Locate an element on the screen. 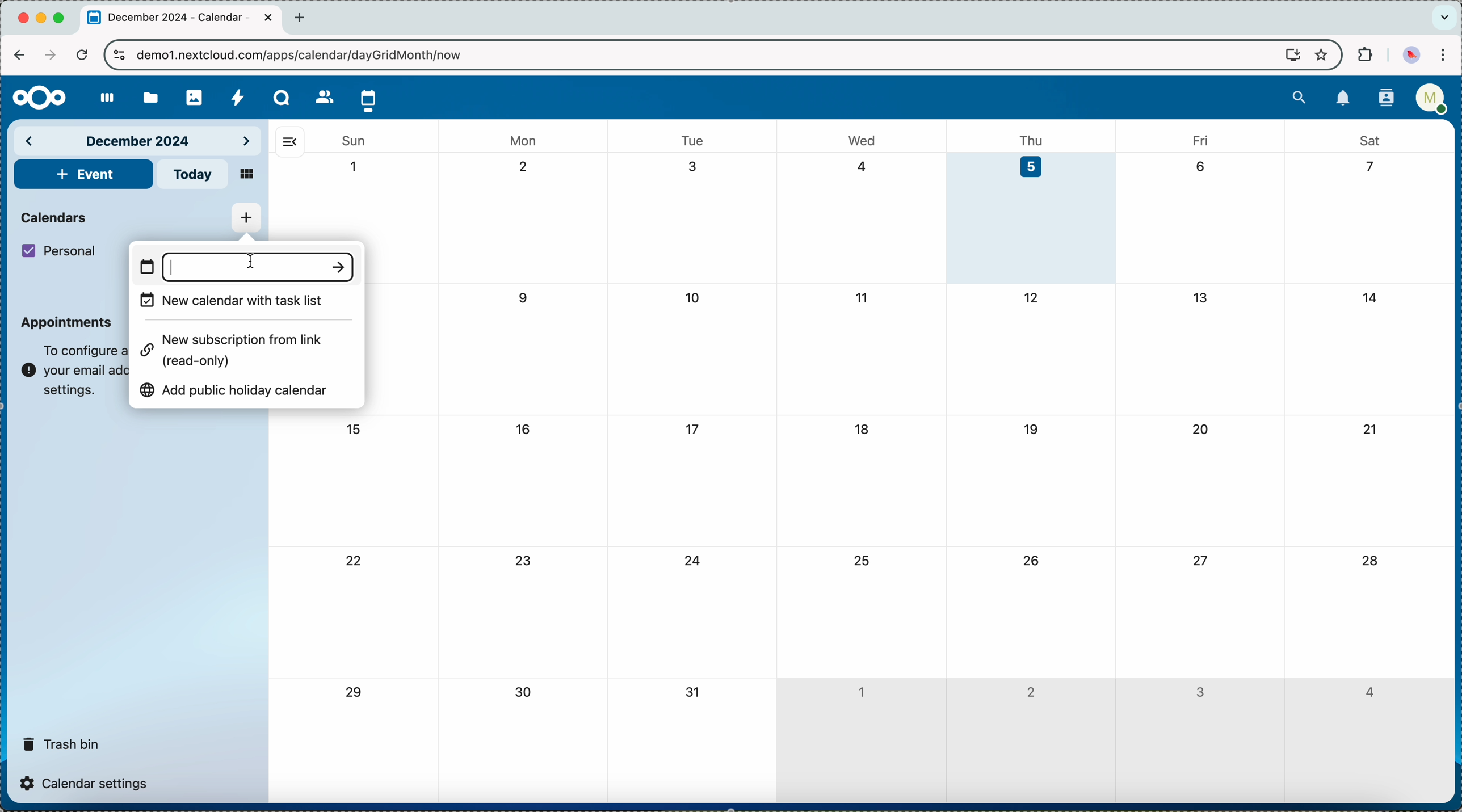  wed is located at coordinates (863, 140).